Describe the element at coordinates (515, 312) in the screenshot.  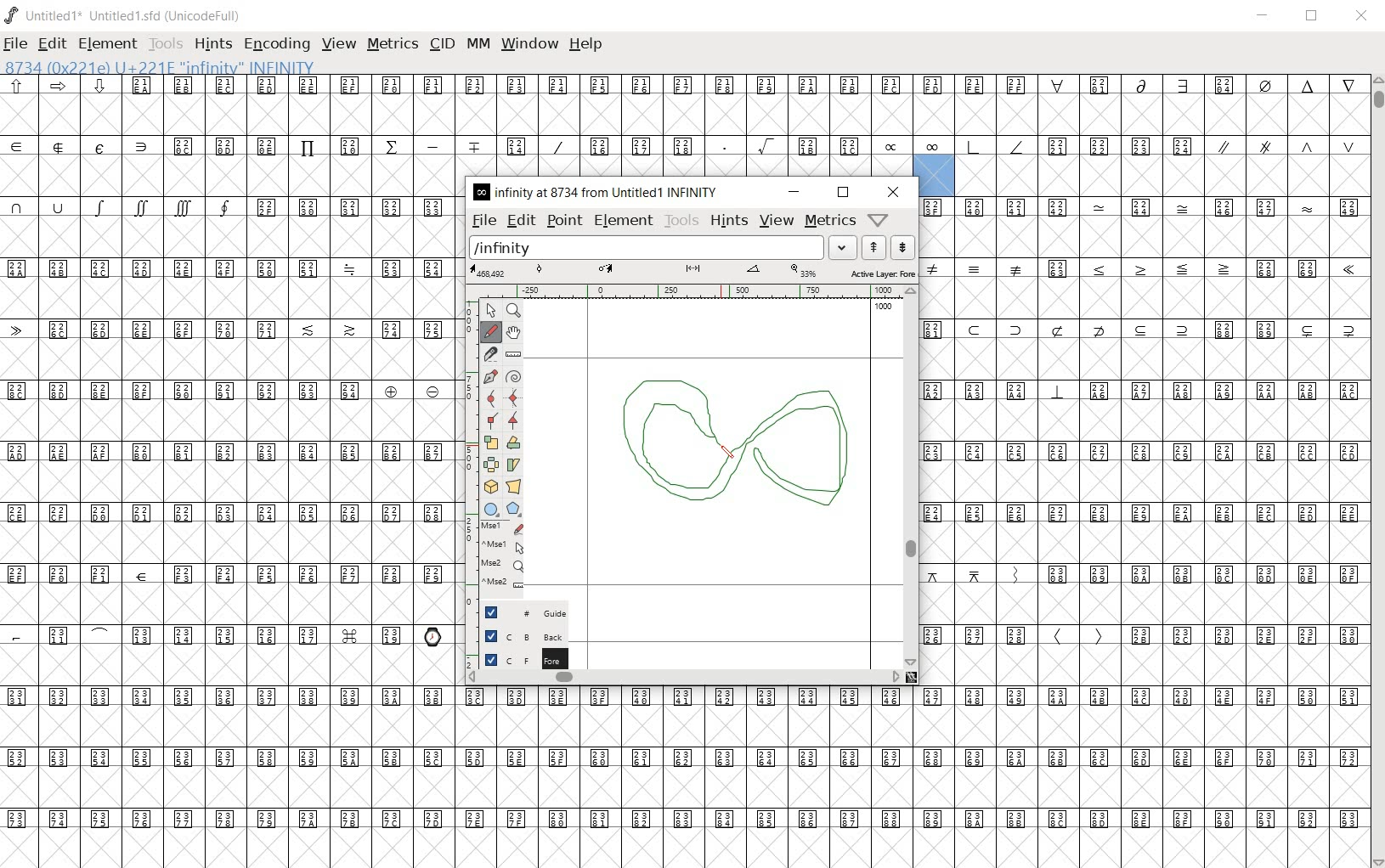
I see `MAGNIFY` at that location.